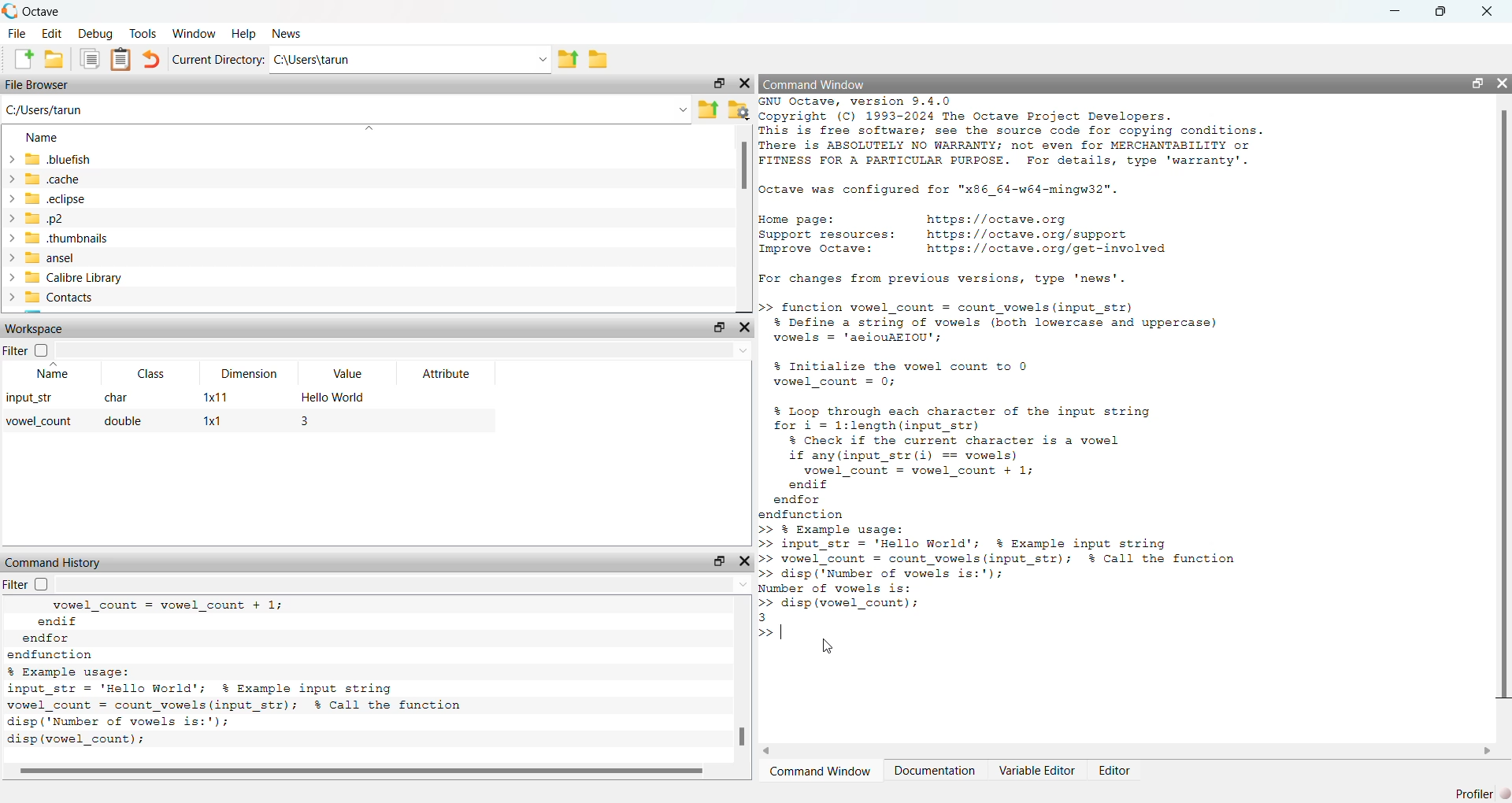 This screenshot has height=803, width=1512. Describe the element at coordinates (59, 158) in the screenshot. I see `.bluefish` at that location.